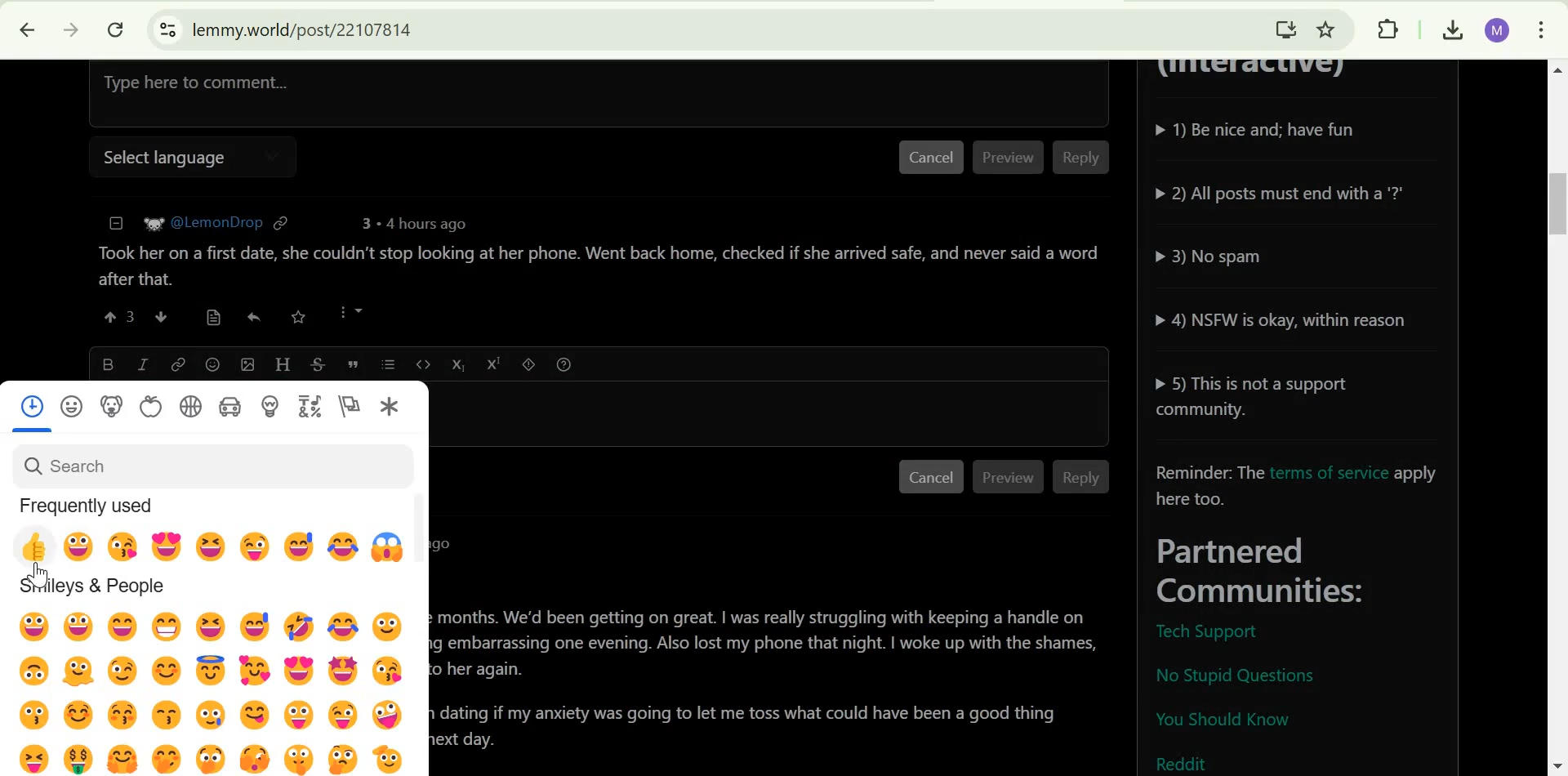  Describe the element at coordinates (177, 363) in the screenshot. I see `link` at that location.